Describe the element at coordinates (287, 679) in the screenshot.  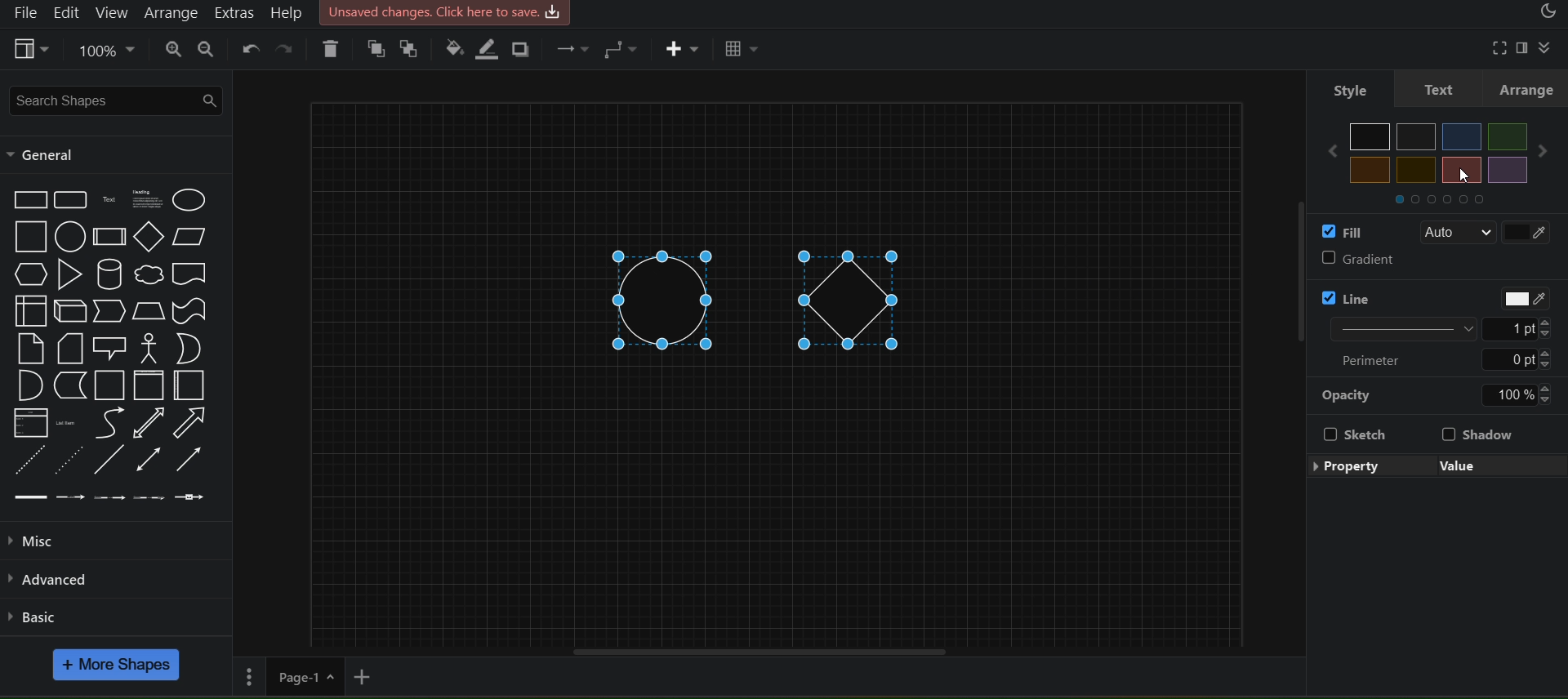
I see `page 1 ` at that location.